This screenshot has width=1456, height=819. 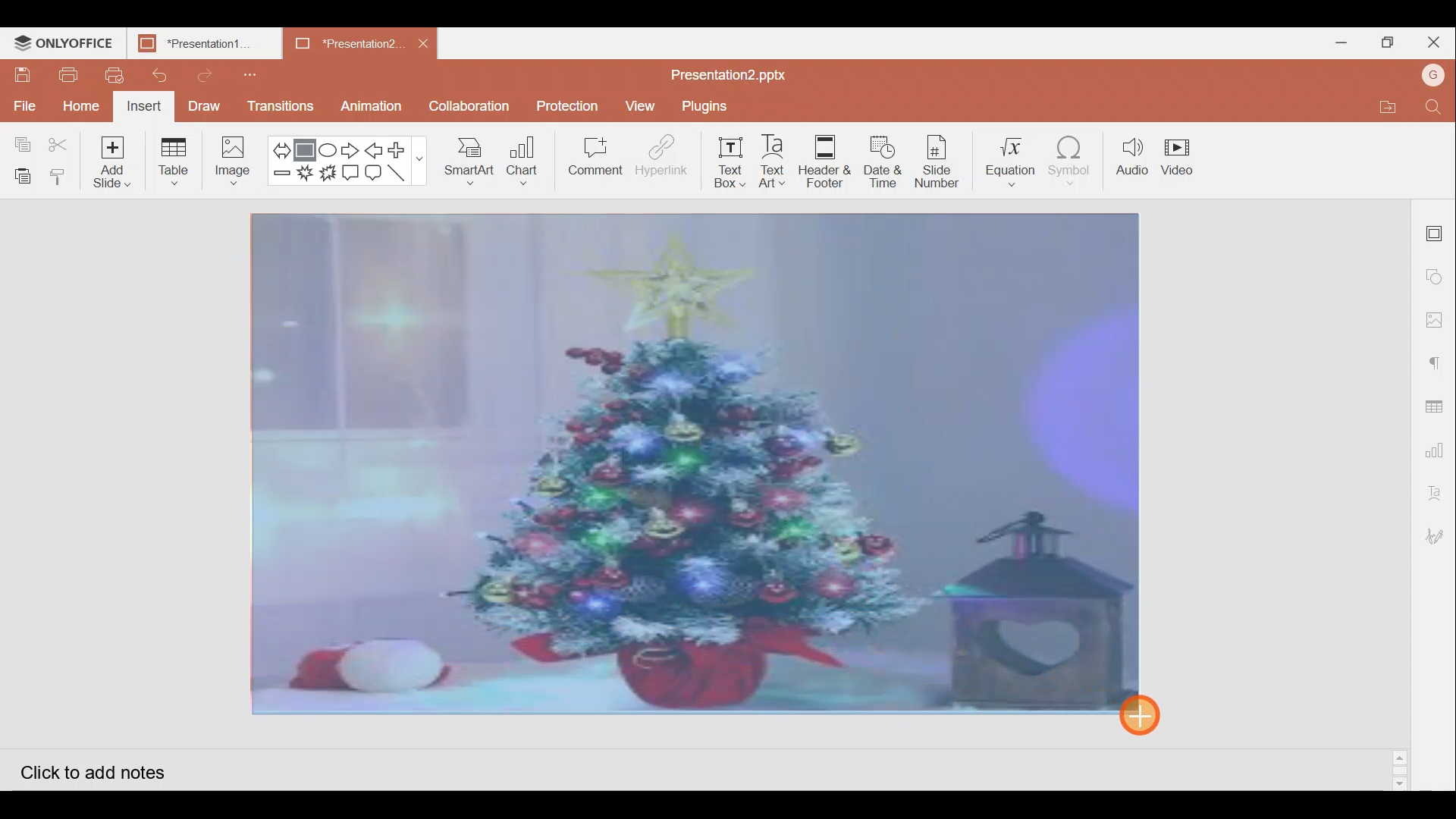 What do you see at coordinates (883, 161) in the screenshot?
I see `Date & time` at bounding box center [883, 161].